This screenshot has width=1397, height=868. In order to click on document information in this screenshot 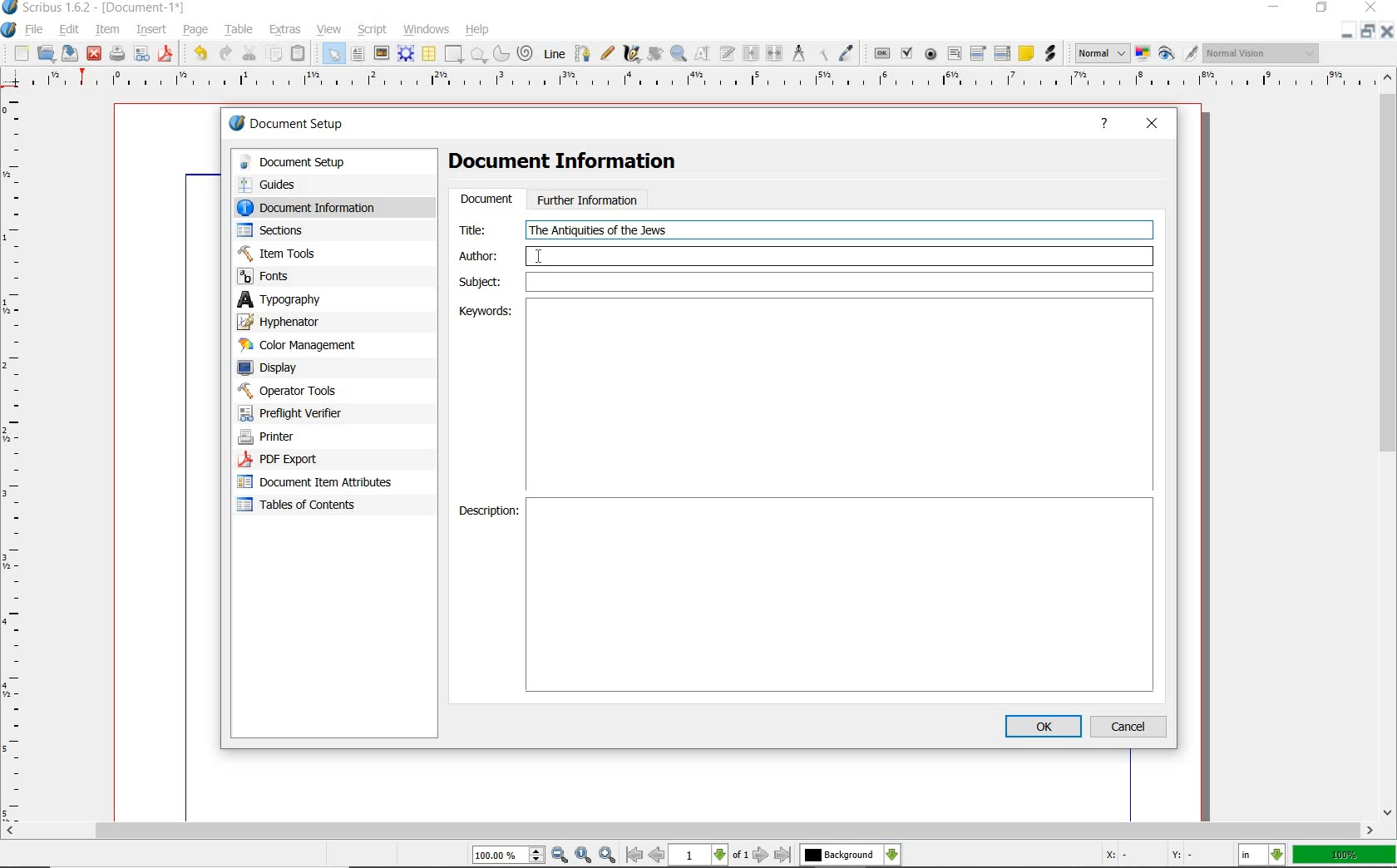, I will do `click(323, 207)`.